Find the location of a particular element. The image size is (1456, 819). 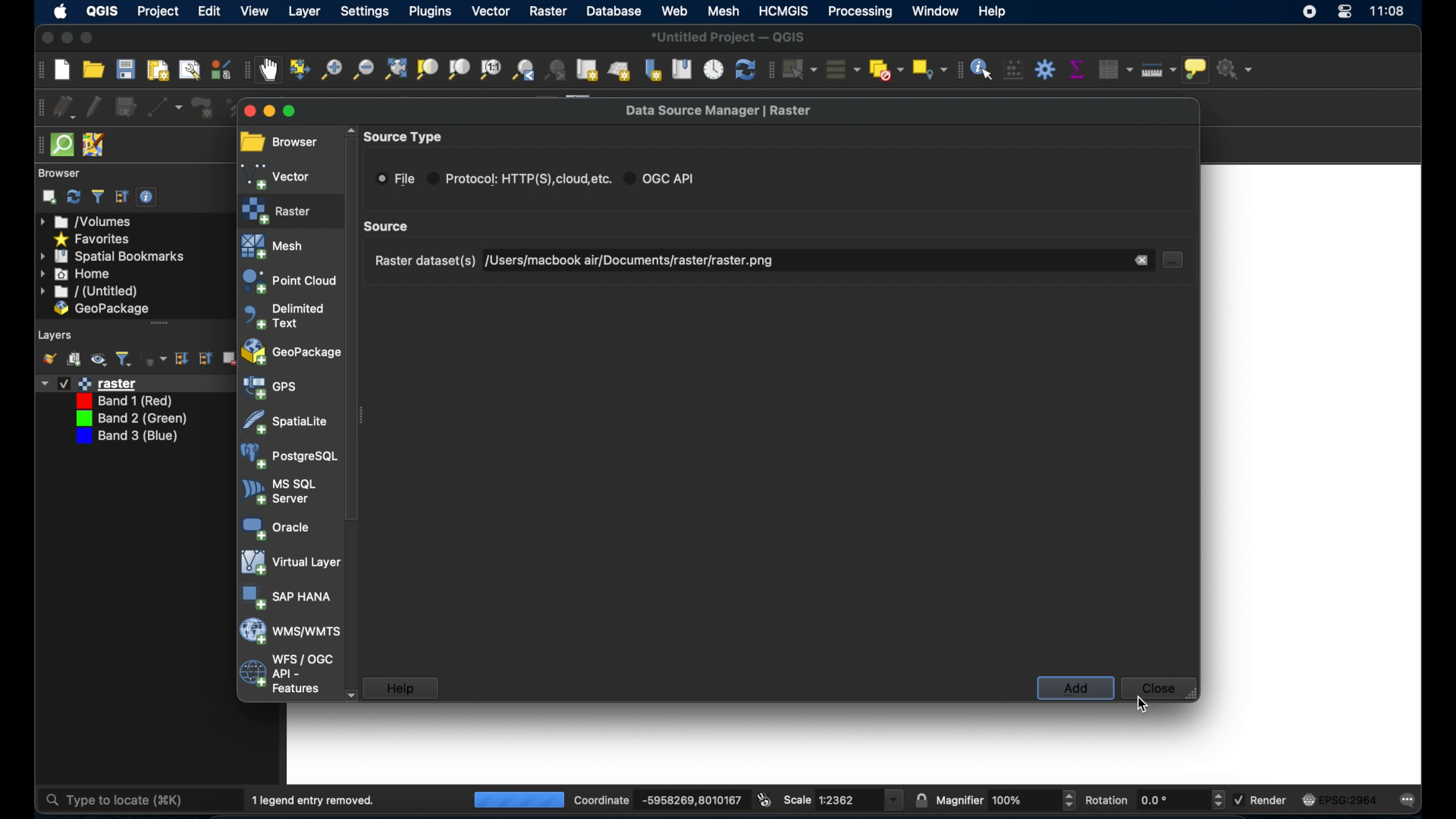

browser is located at coordinates (283, 138).